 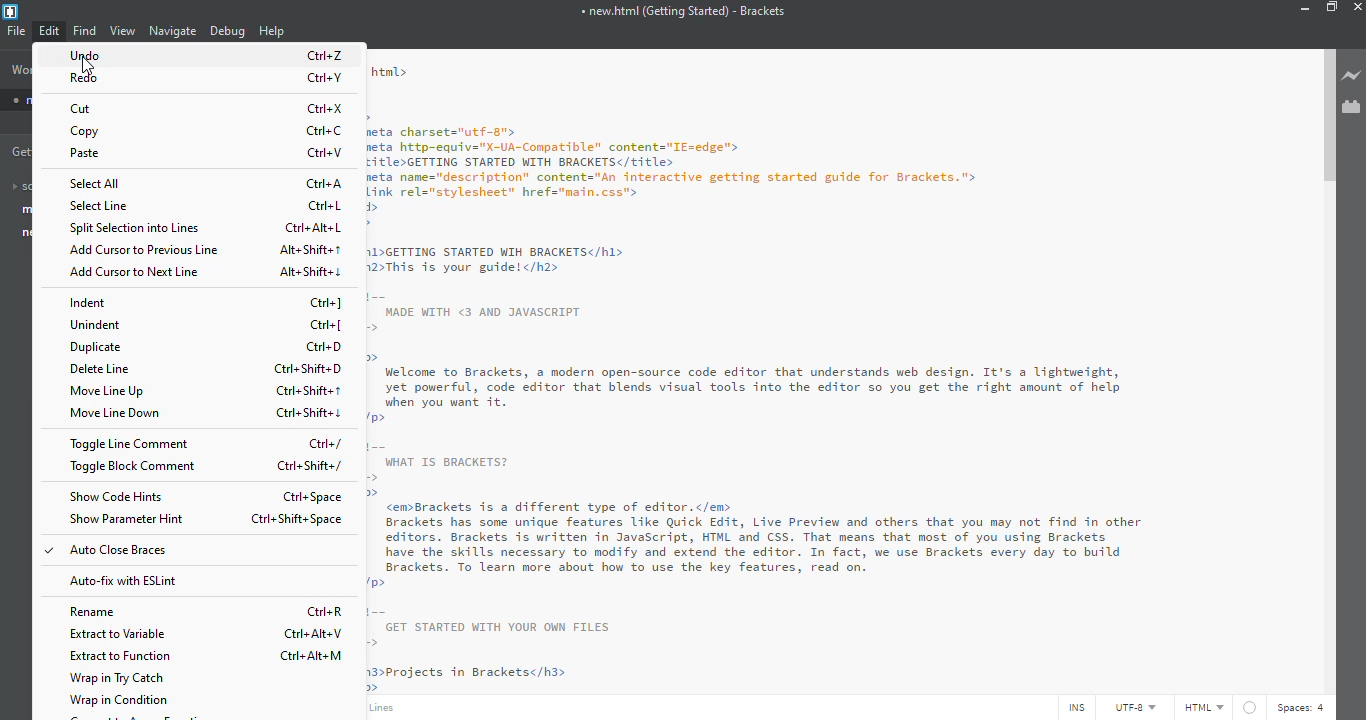 I want to click on ctrl+z, so click(x=325, y=55).